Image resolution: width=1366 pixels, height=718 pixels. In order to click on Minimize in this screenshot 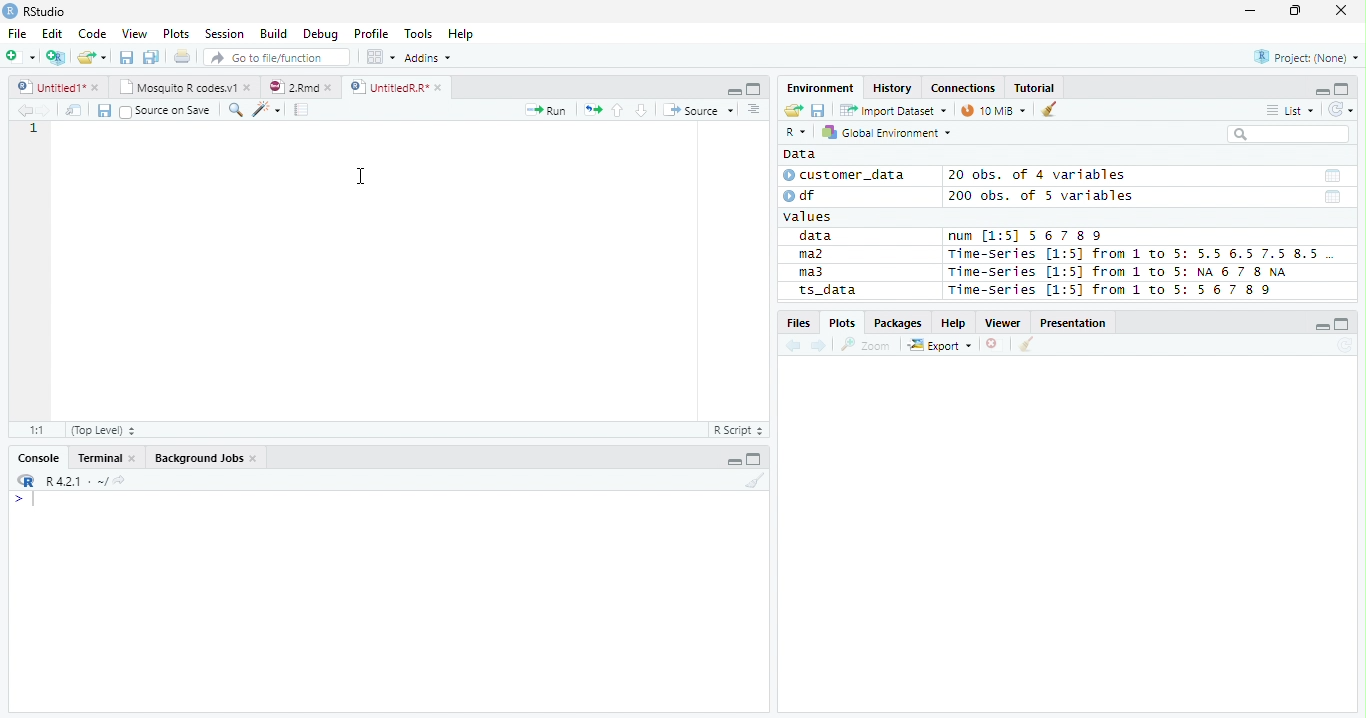, I will do `click(735, 459)`.